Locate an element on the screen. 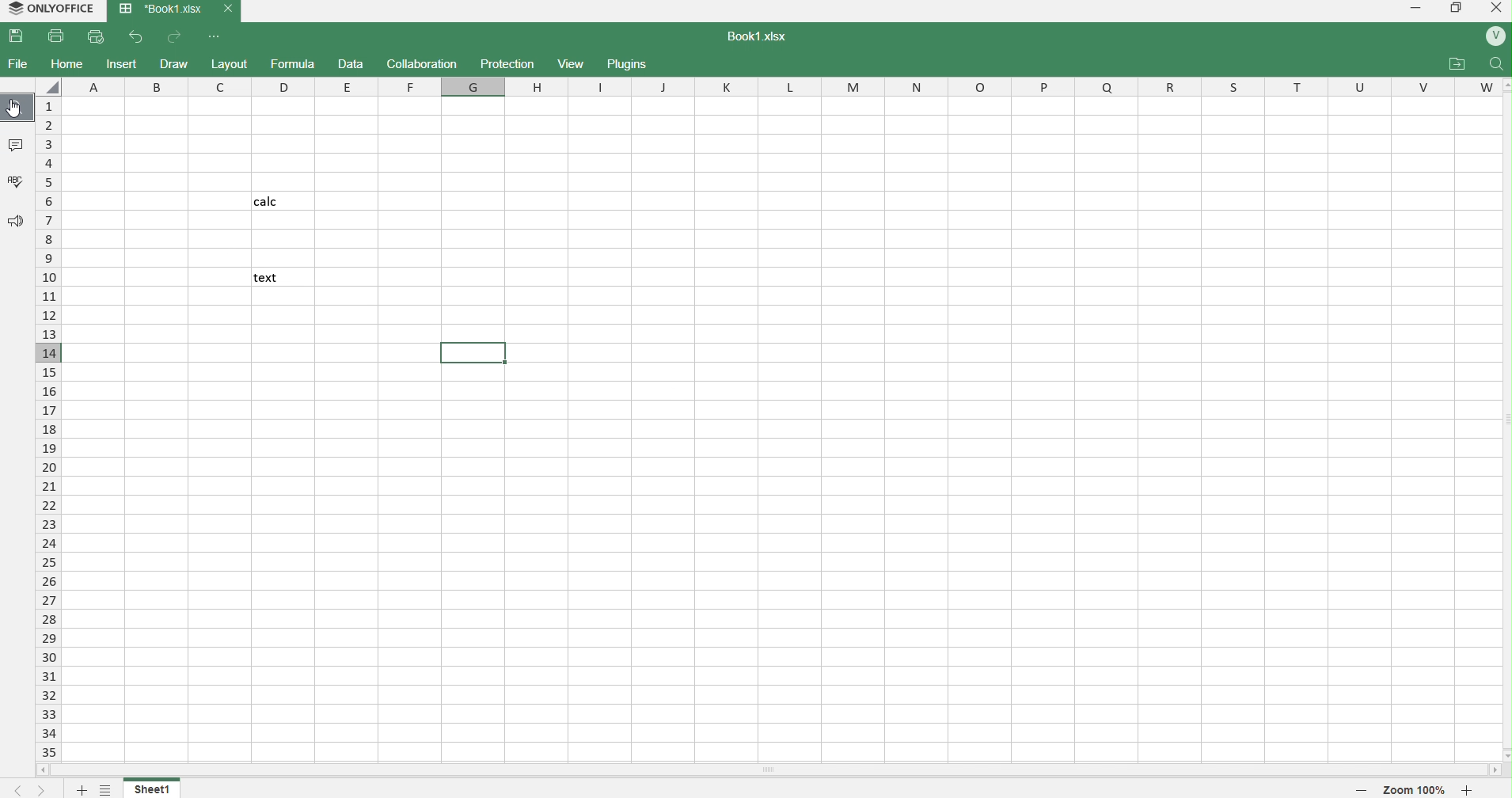 The width and height of the screenshot is (1512, 798). move right is located at coordinates (1497, 769).